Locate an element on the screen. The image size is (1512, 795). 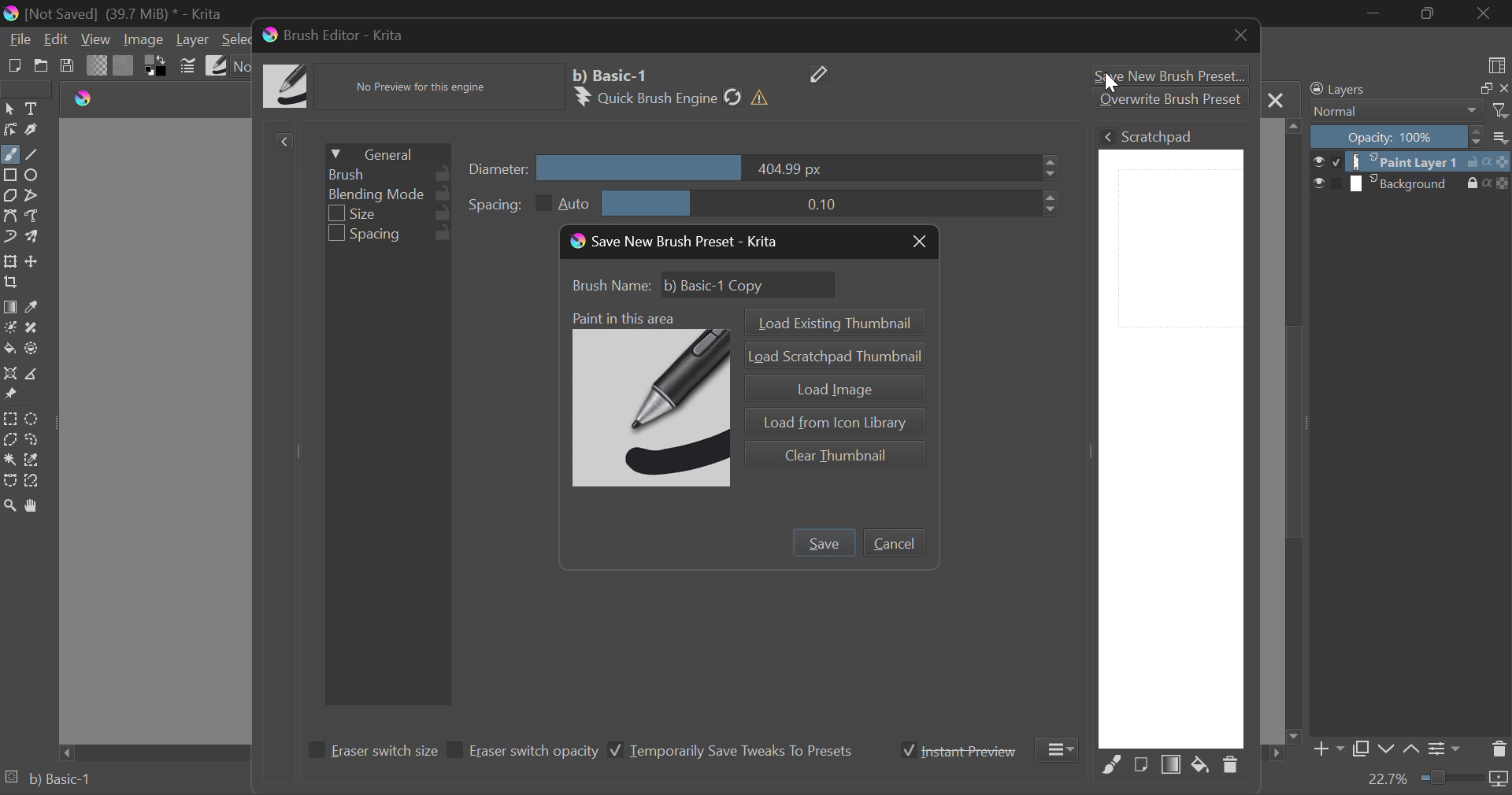
Close is located at coordinates (918, 243).